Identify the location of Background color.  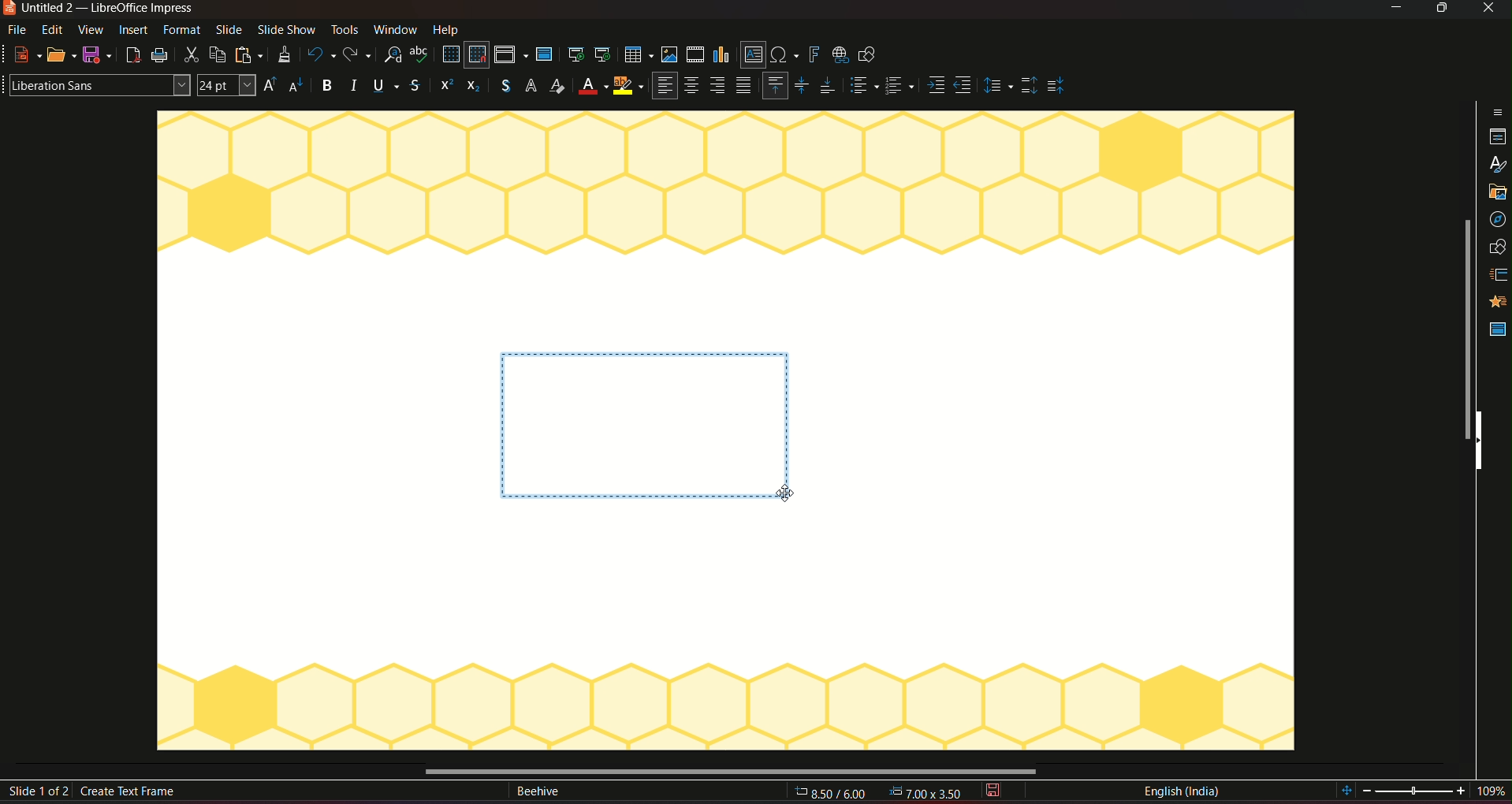
(590, 87).